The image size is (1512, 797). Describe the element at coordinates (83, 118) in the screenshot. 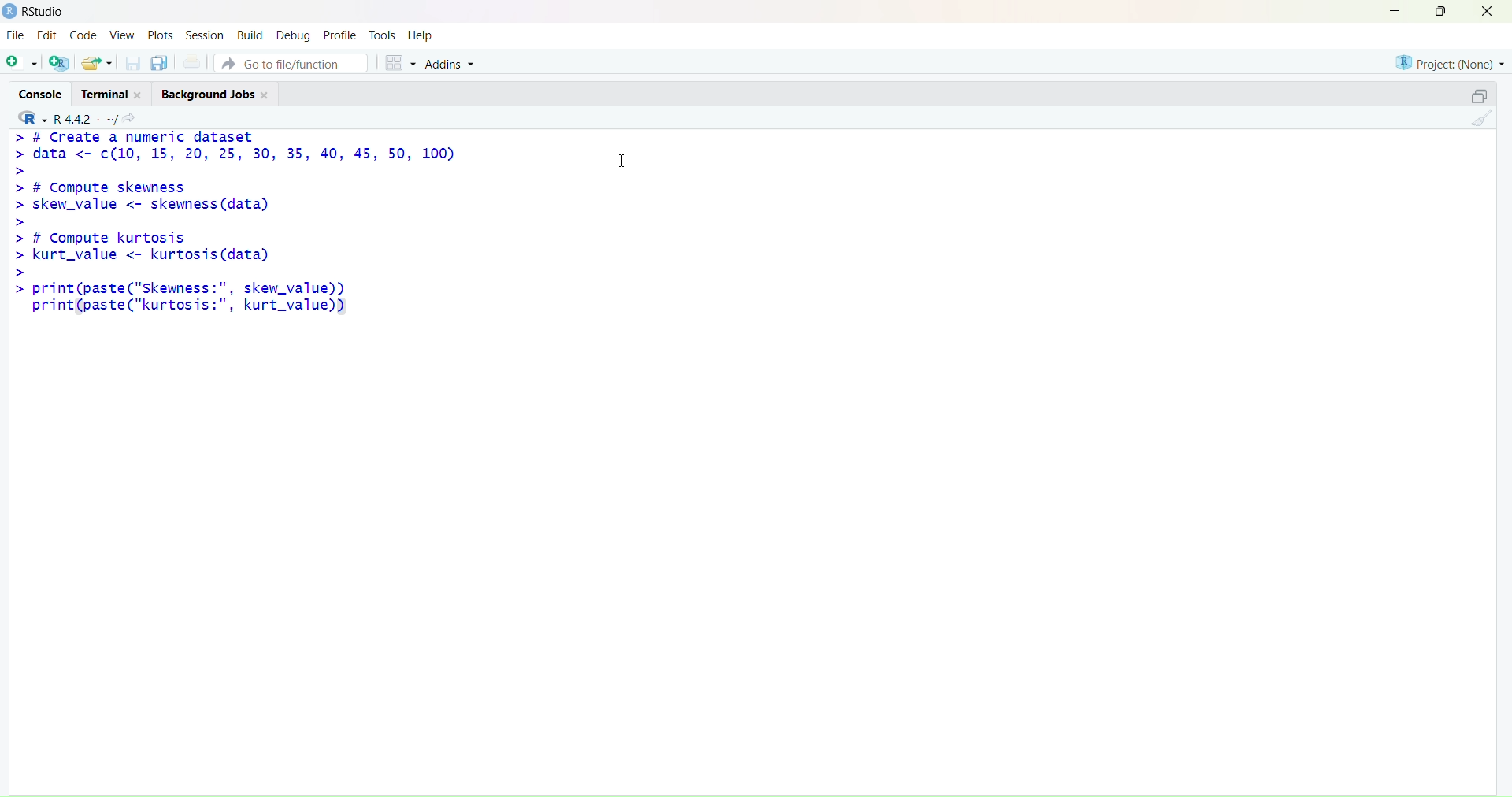

I see `R.4.4.2~/` at that location.